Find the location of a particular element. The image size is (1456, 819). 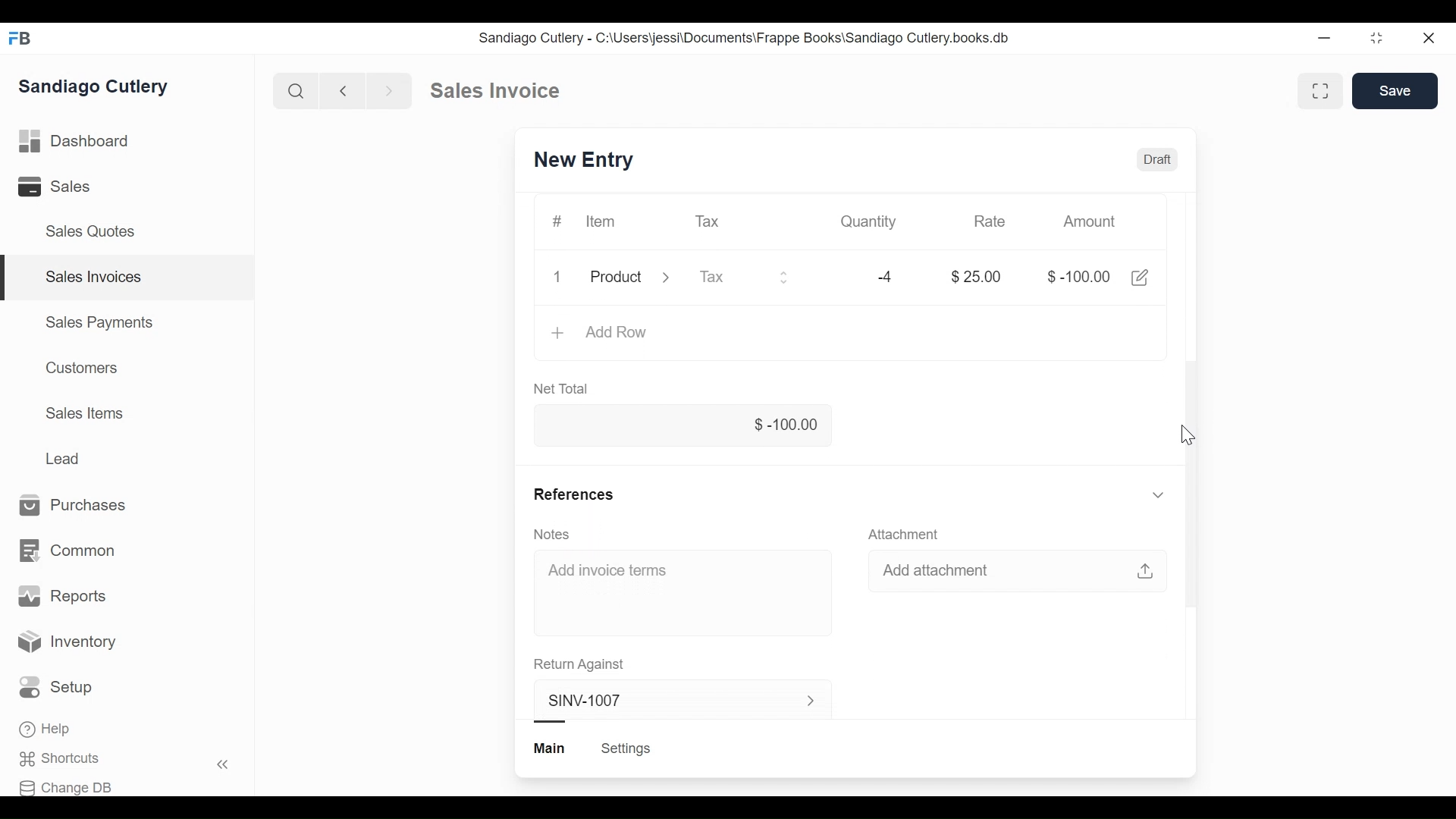

-4 is located at coordinates (886, 276).